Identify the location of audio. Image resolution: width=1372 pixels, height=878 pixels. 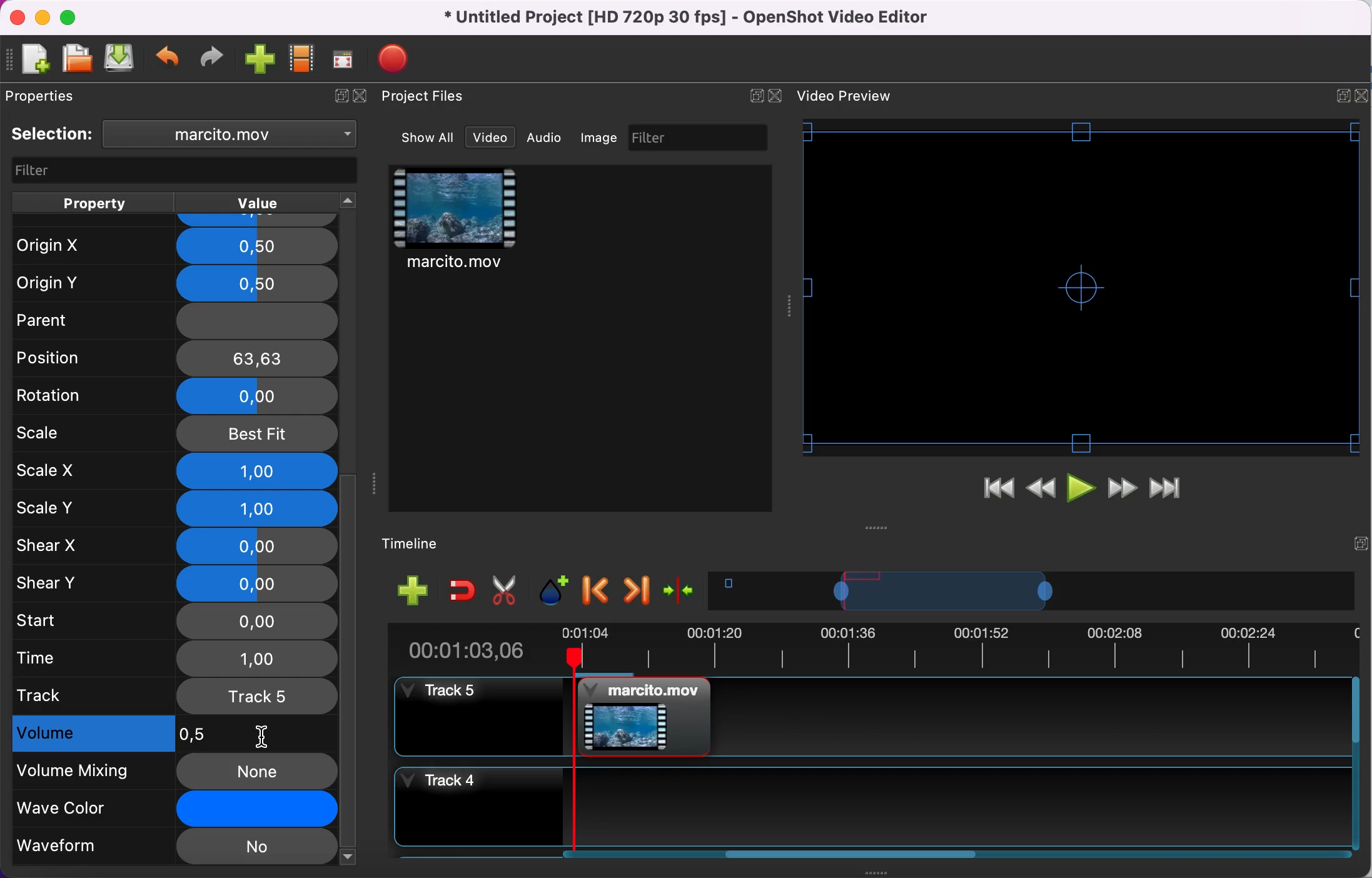
(545, 137).